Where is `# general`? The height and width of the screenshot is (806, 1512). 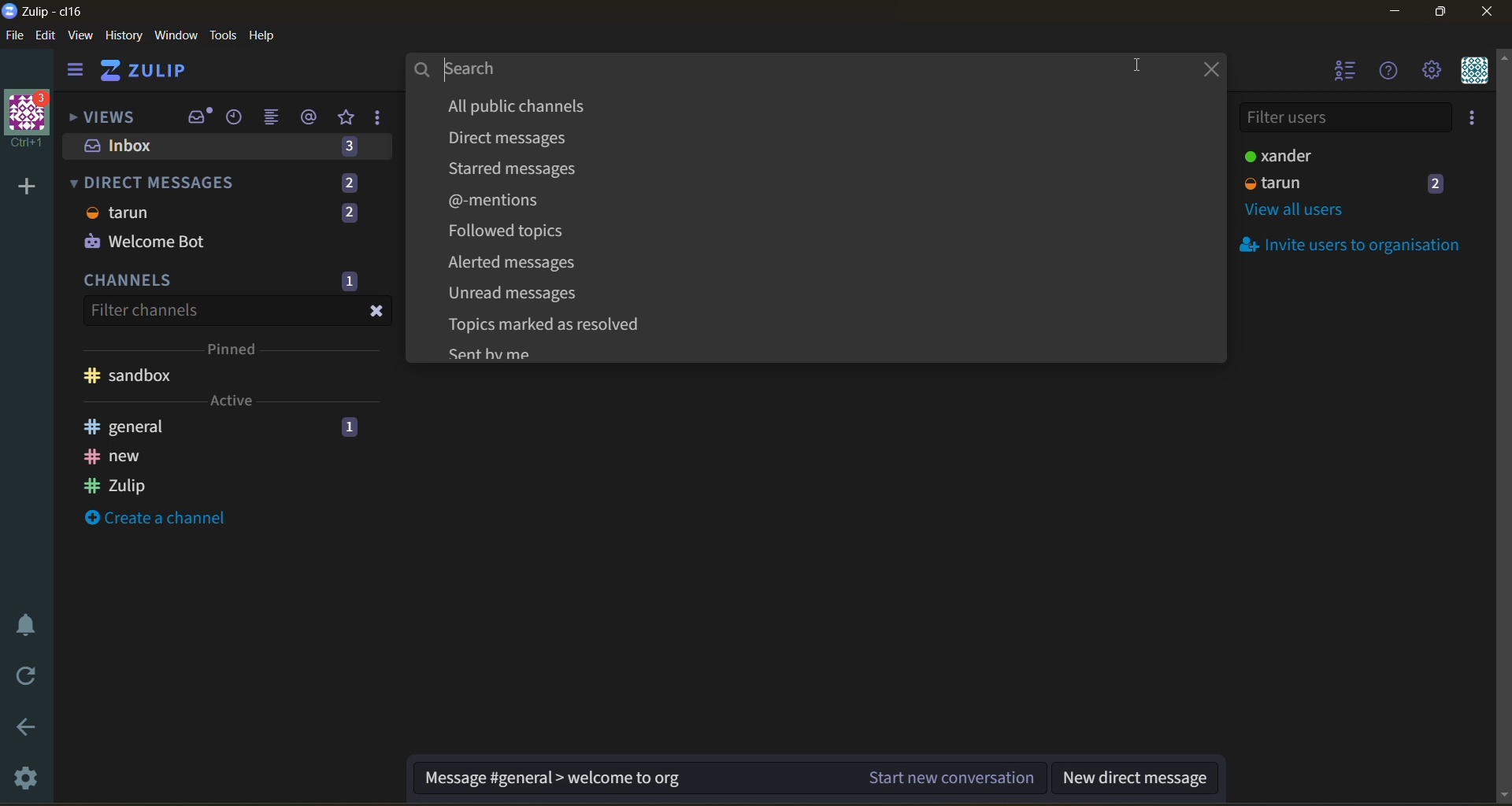
# general is located at coordinates (124, 426).